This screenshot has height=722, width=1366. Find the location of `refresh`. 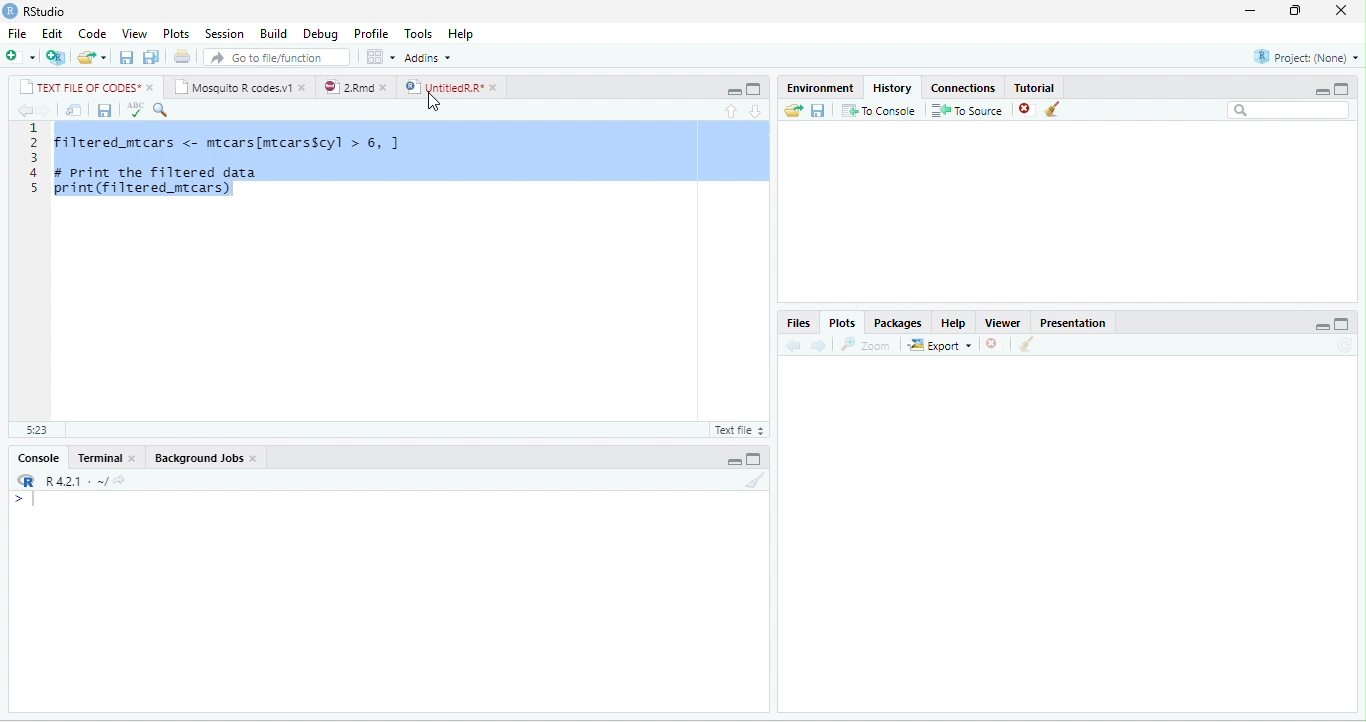

refresh is located at coordinates (1345, 345).